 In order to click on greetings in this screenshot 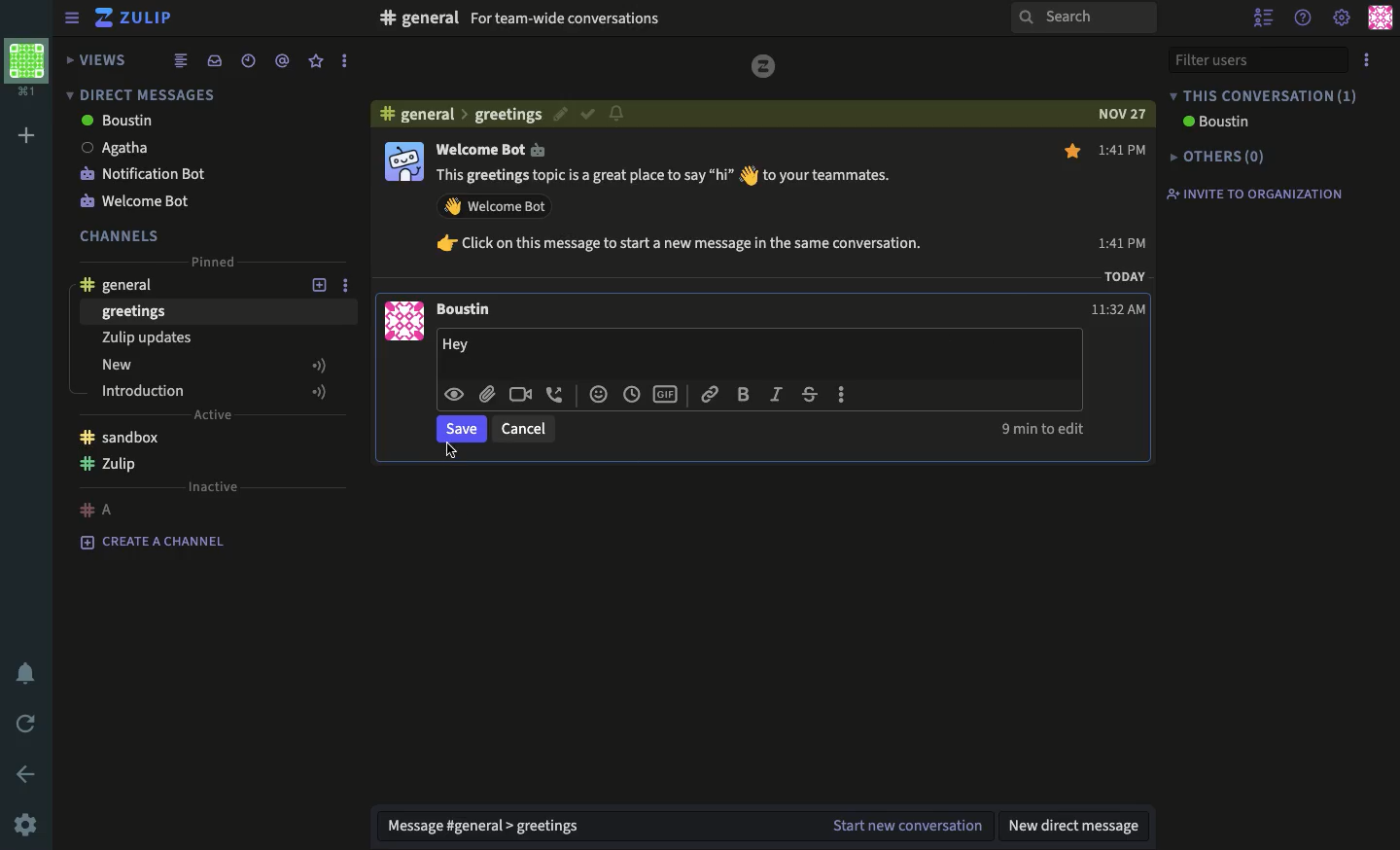, I will do `click(135, 313)`.